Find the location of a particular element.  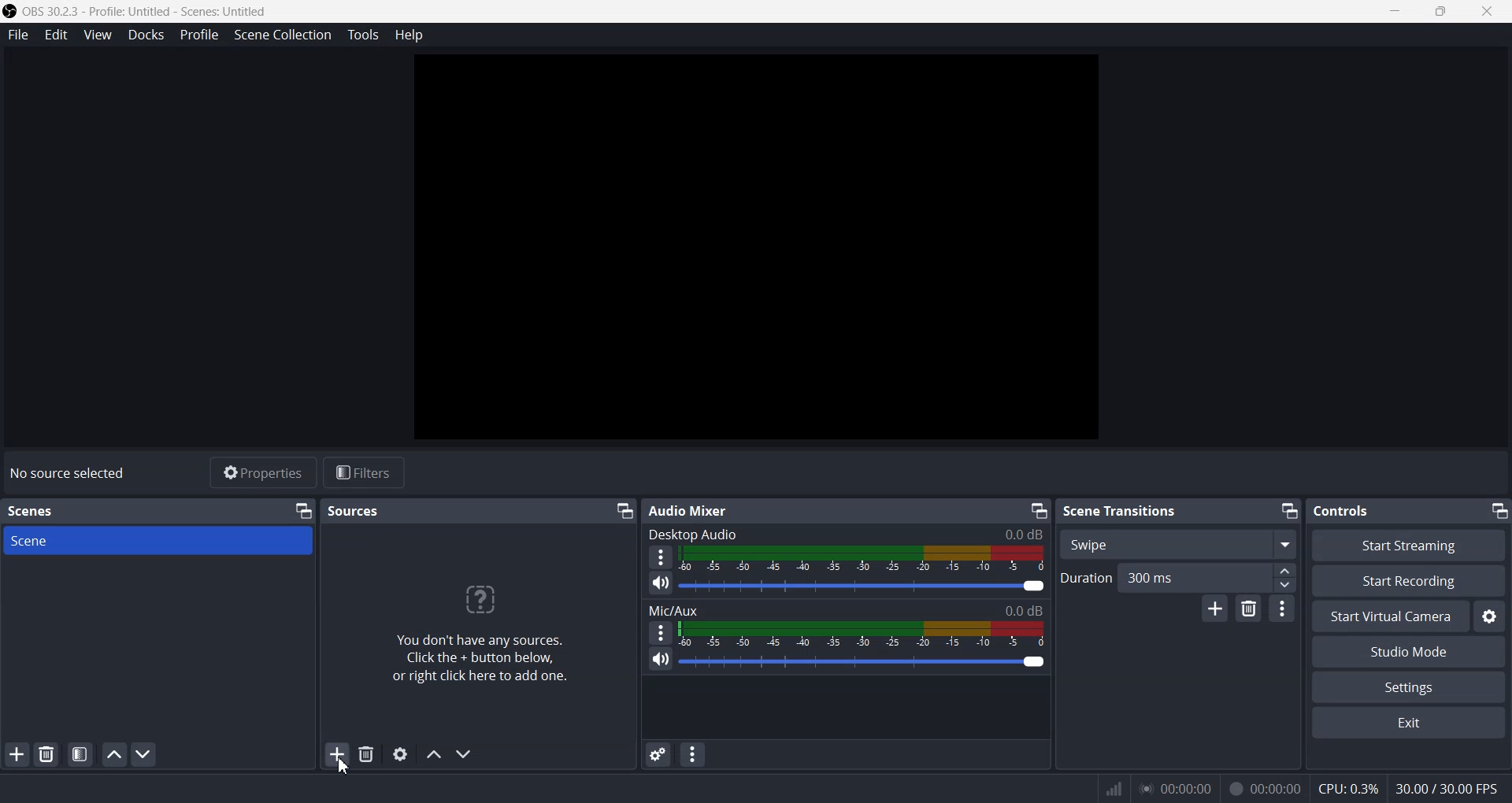

Start Recording is located at coordinates (1408, 581).